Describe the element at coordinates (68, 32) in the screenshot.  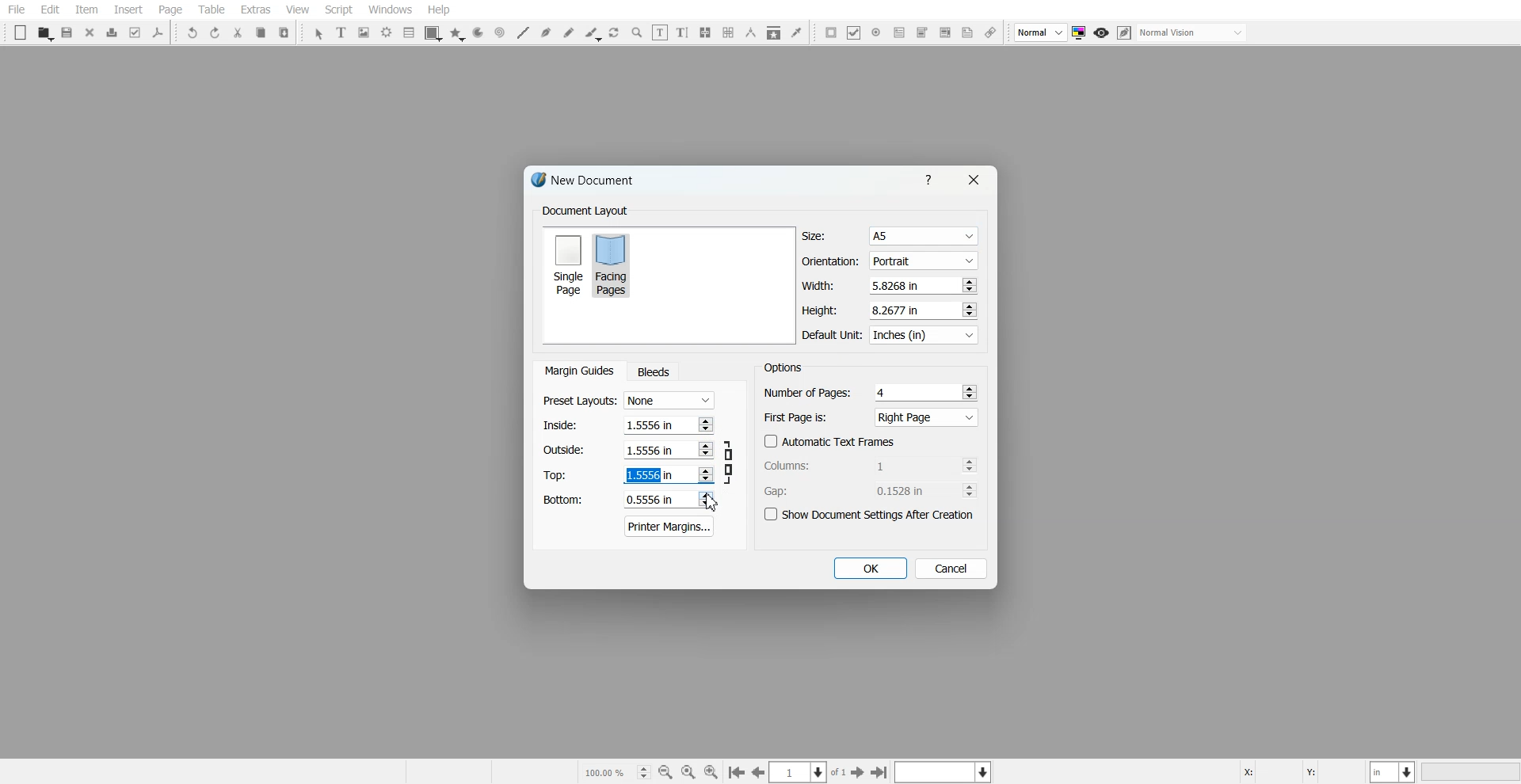
I see `Save` at that location.